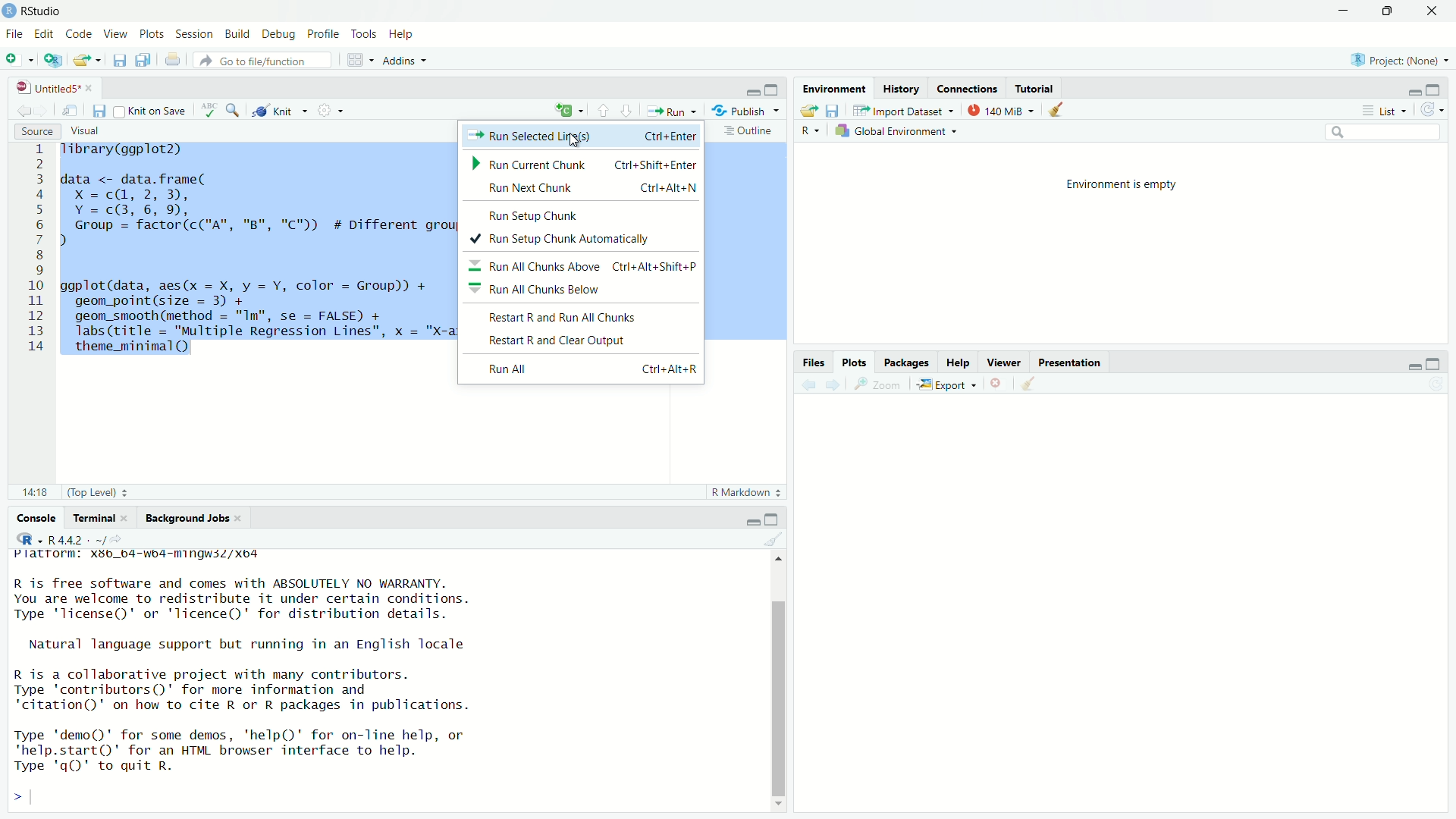 Image resolution: width=1456 pixels, height=819 pixels. I want to click on Run +, so click(676, 110).